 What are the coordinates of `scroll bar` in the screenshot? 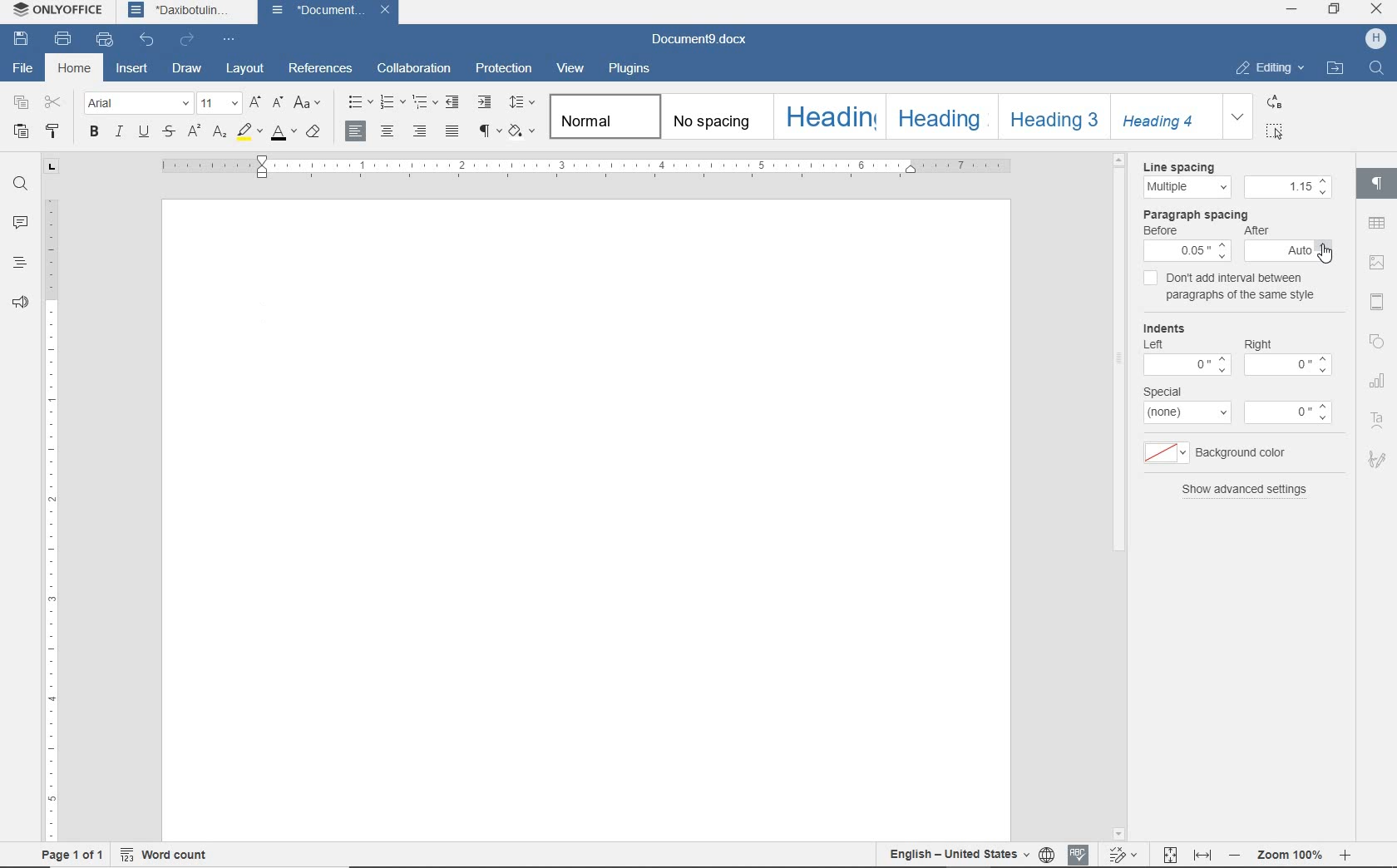 It's located at (1121, 496).